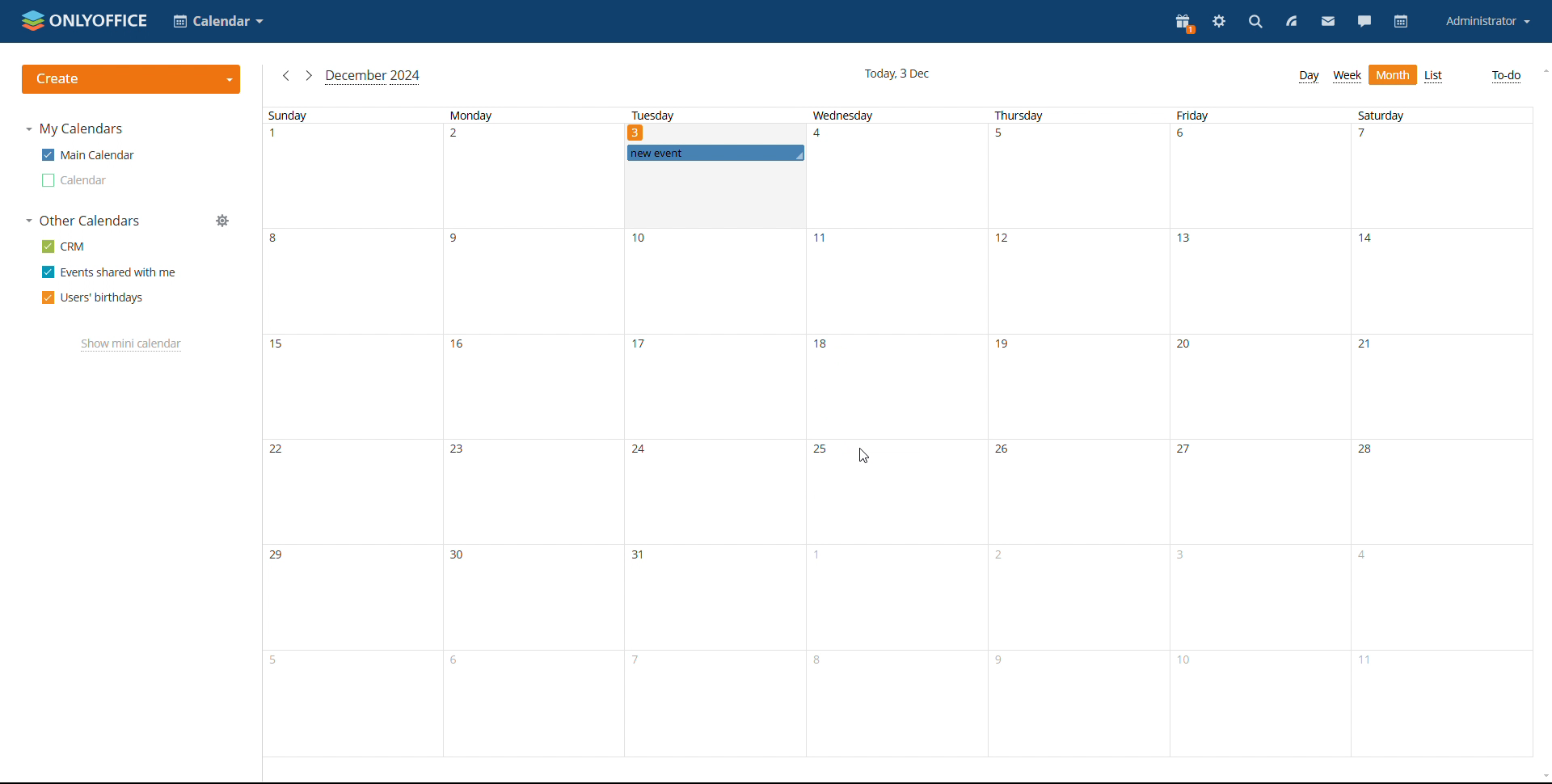  What do you see at coordinates (1221, 23) in the screenshot?
I see `settings` at bounding box center [1221, 23].